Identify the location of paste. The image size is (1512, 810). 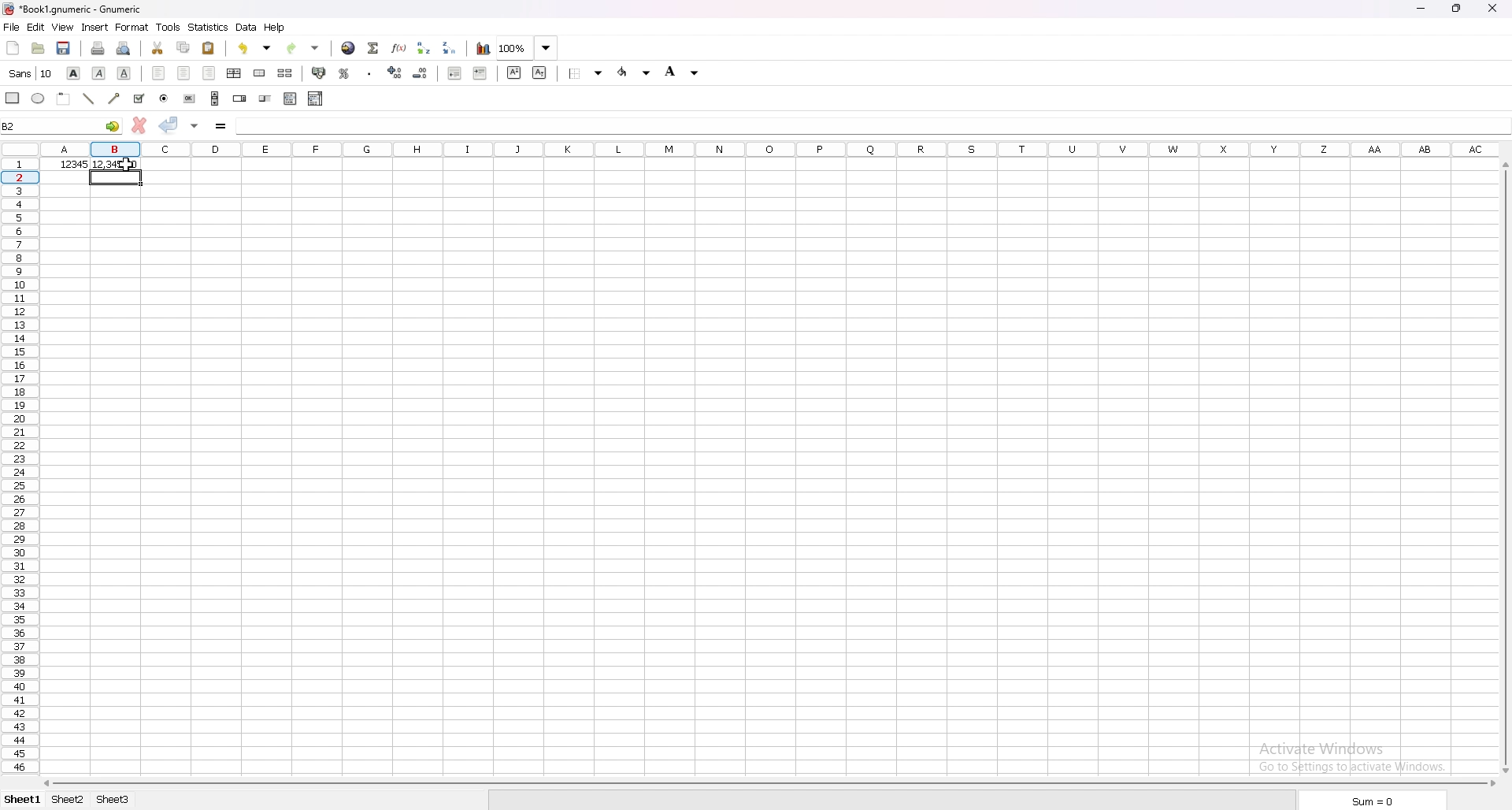
(209, 48).